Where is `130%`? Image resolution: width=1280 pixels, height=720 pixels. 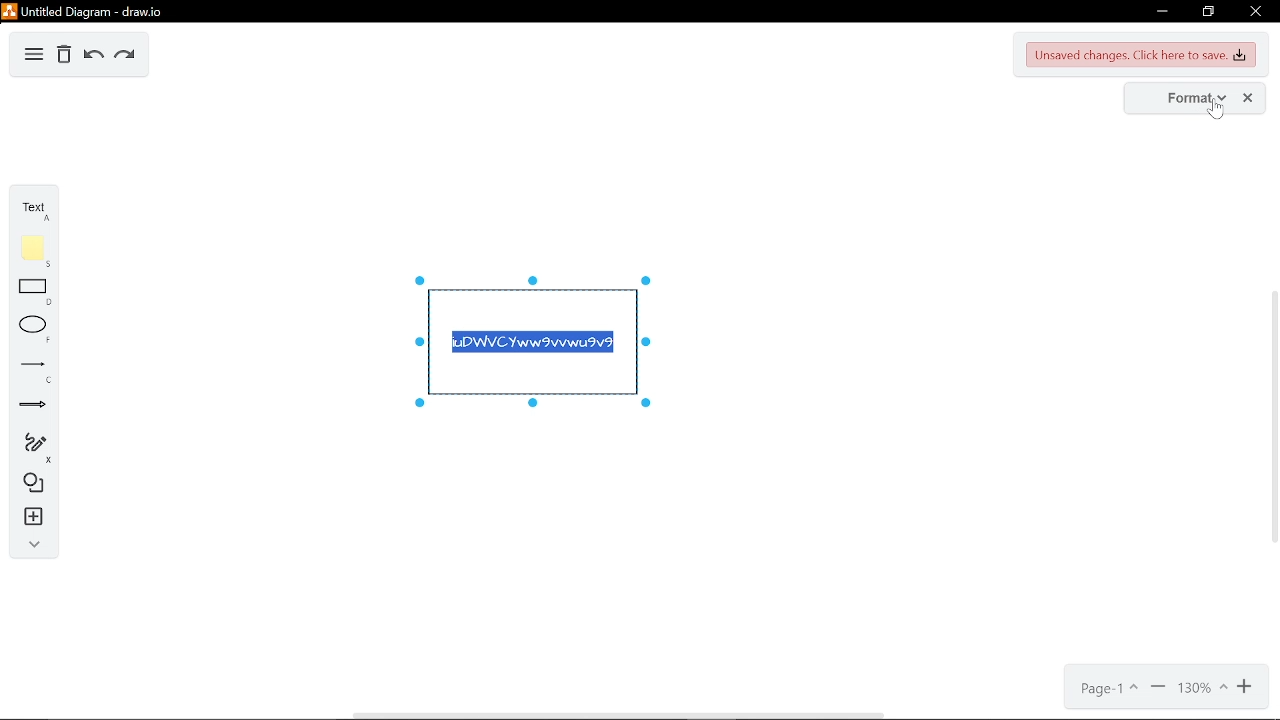 130% is located at coordinates (1199, 690).